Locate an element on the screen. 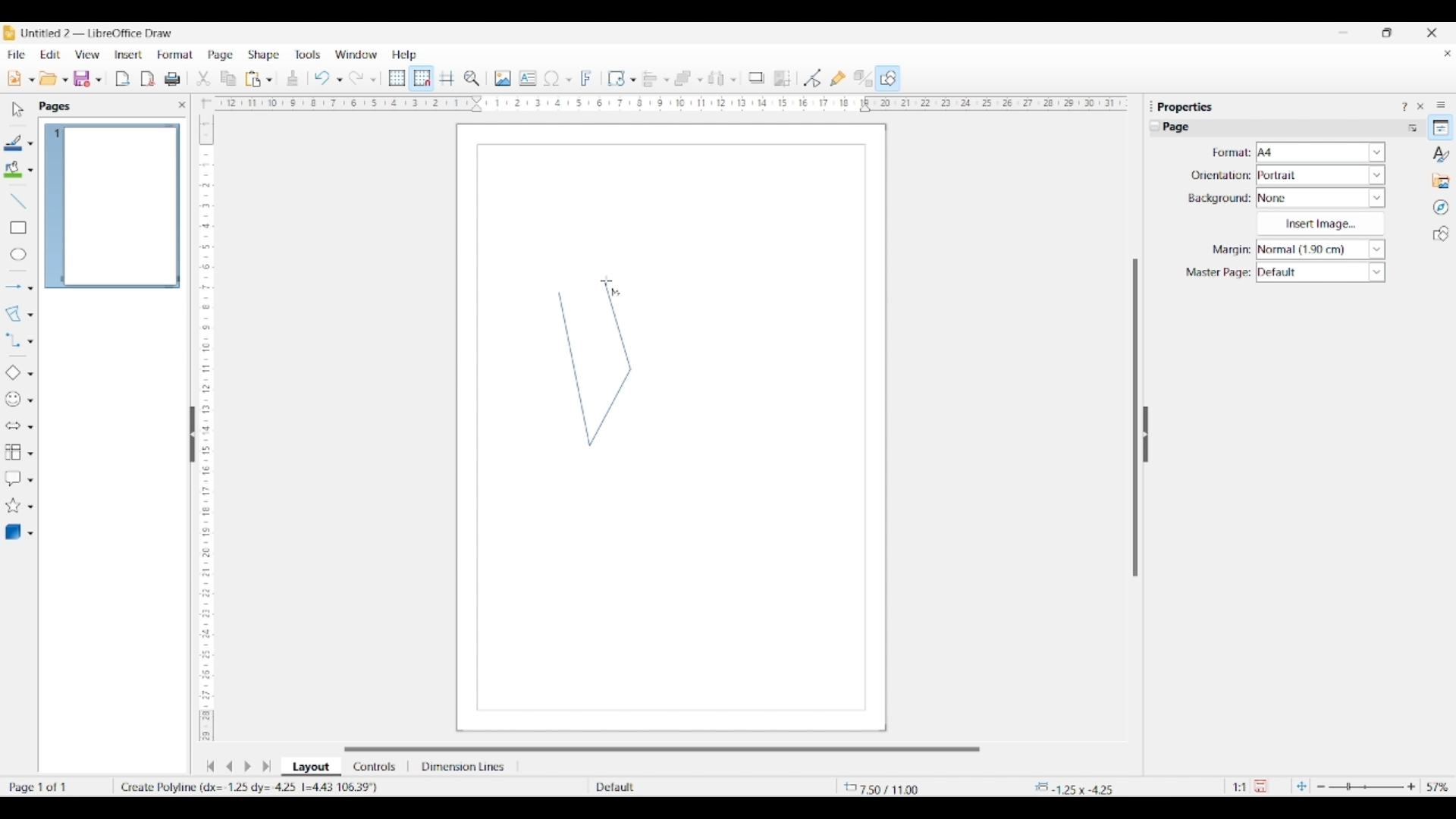  3D shape options is located at coordinates (30, 534).